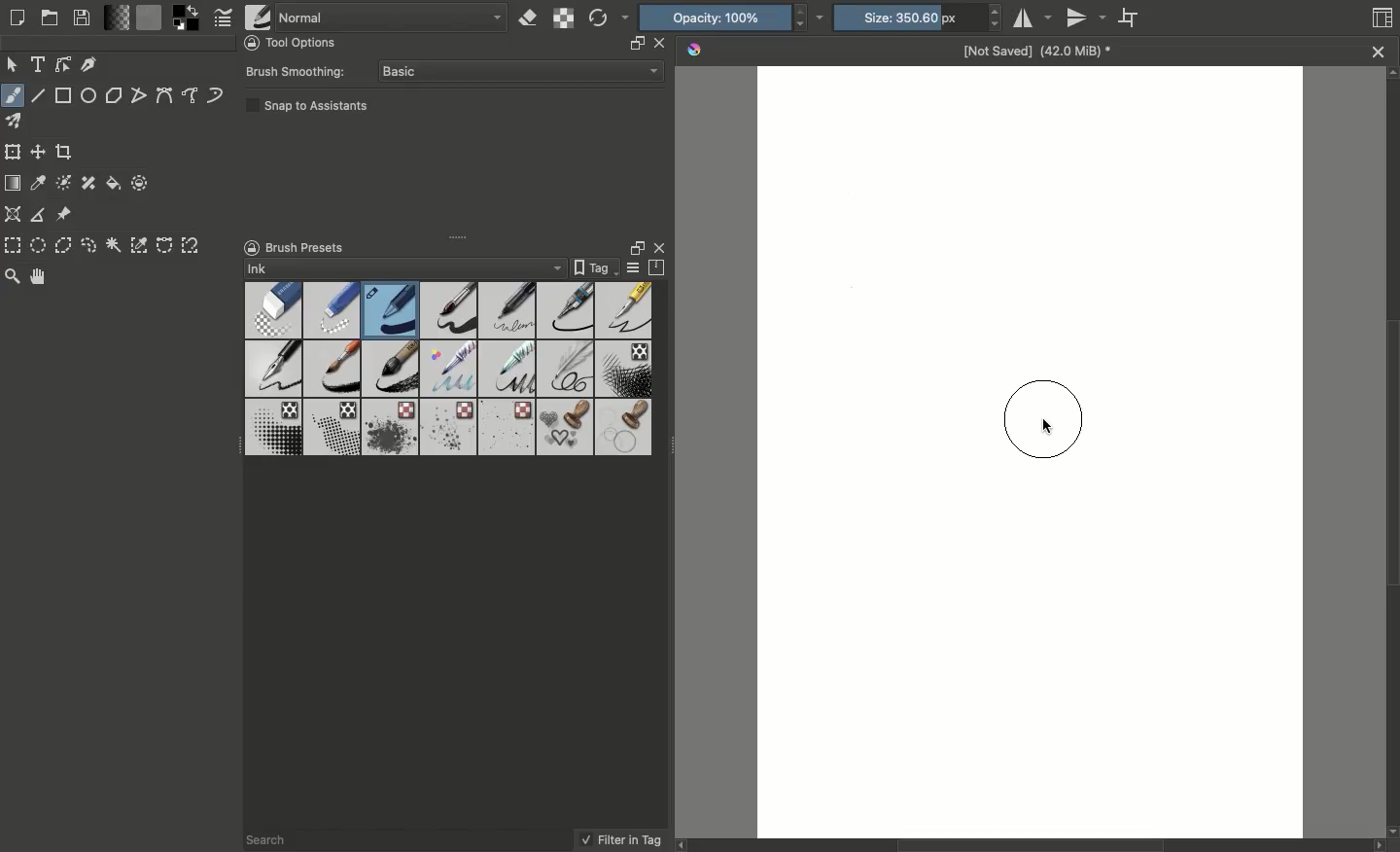 The height and width of the screenshot is (852, 1400). Describe the element at coordinates (20, 124) in the screenshot. I see `Multibrush tool` at that location.